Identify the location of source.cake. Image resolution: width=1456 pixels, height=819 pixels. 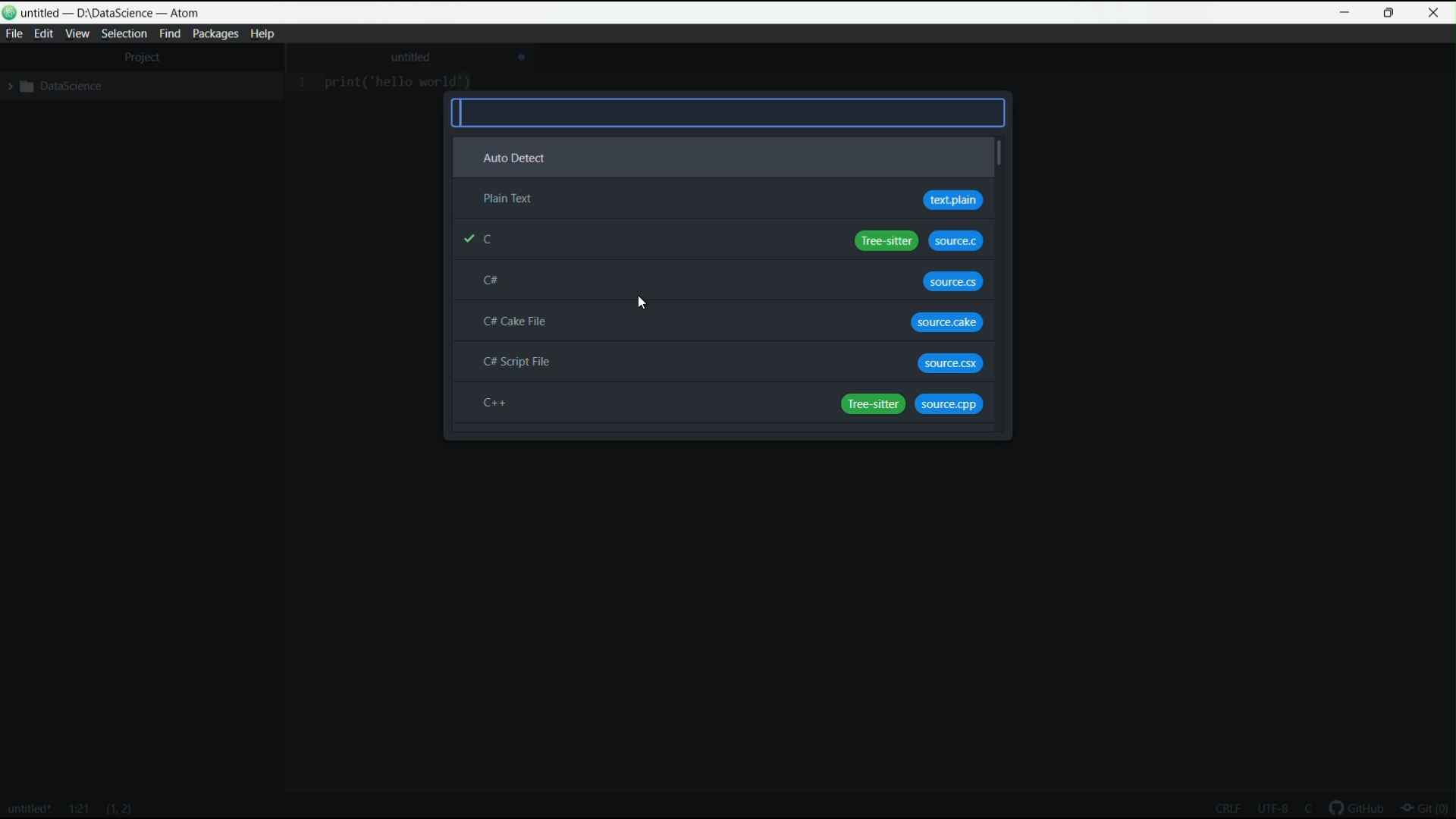
(946, 324).